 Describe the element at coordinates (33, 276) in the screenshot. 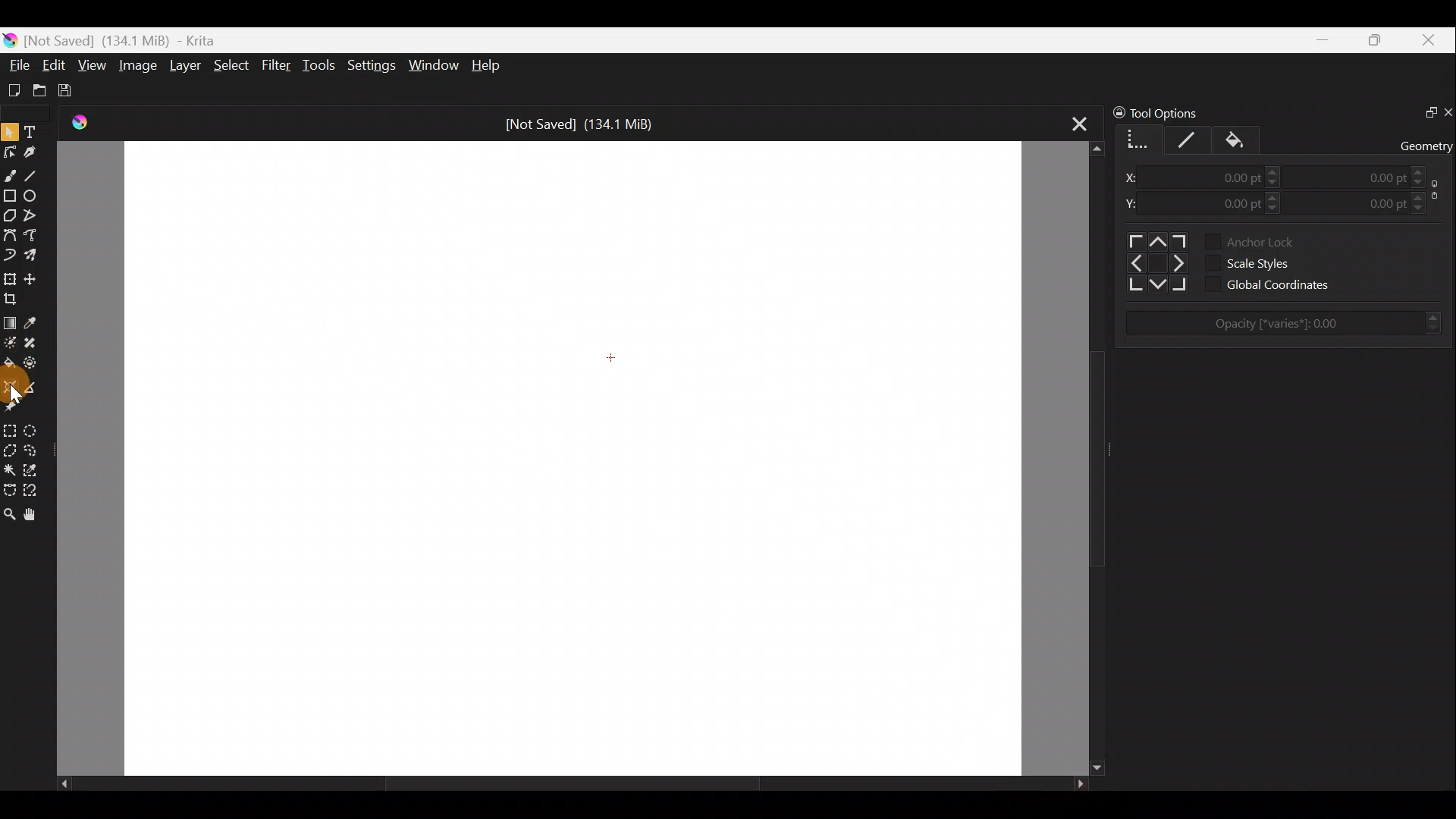

I see `Move a layer` at that location.